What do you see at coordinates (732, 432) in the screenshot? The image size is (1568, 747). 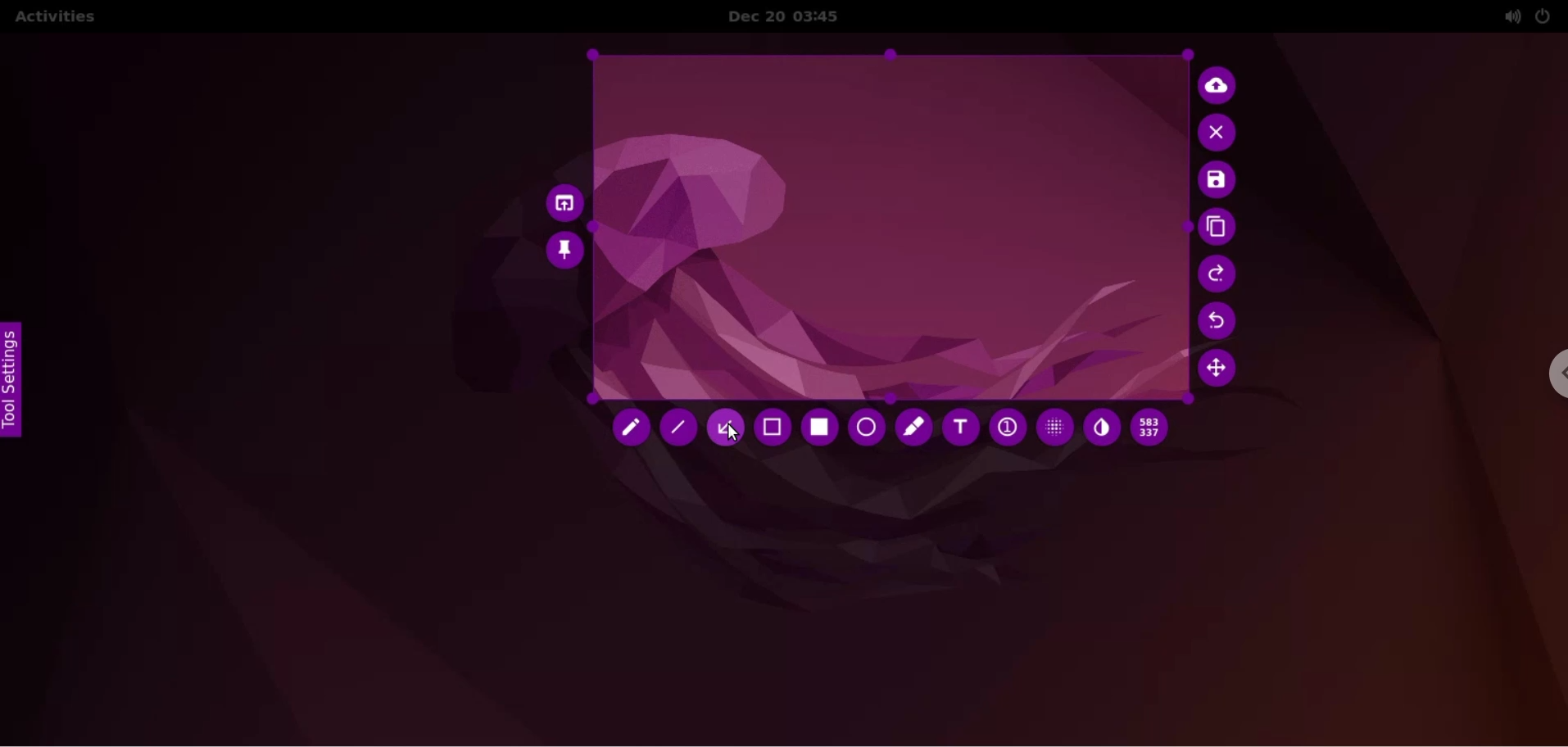 I see `cursor` at bounding box center [732, 432].